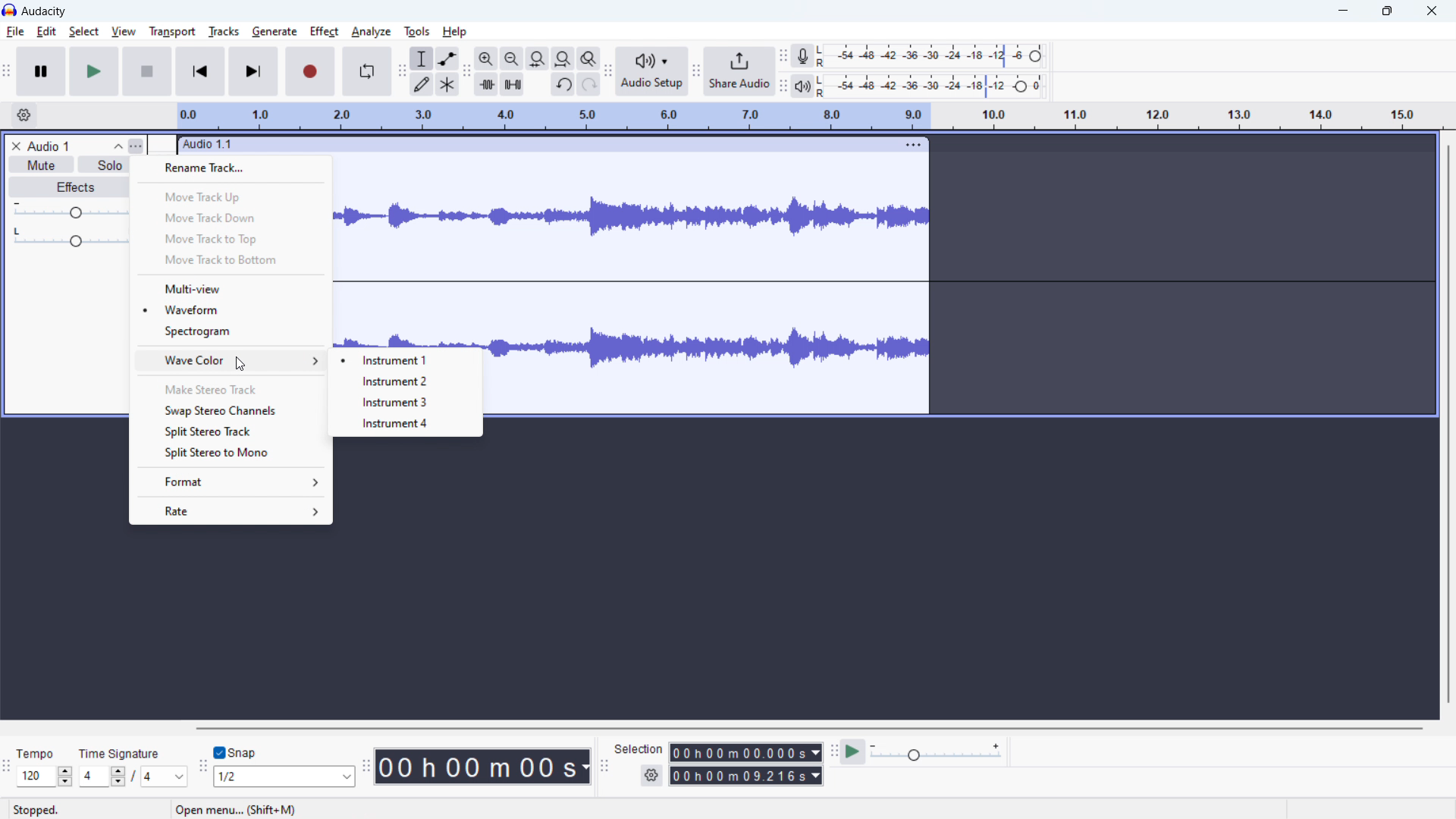 Image resolution: width=1456 pixels, height=819 pixels. I want to click on play, so click(94, 72).